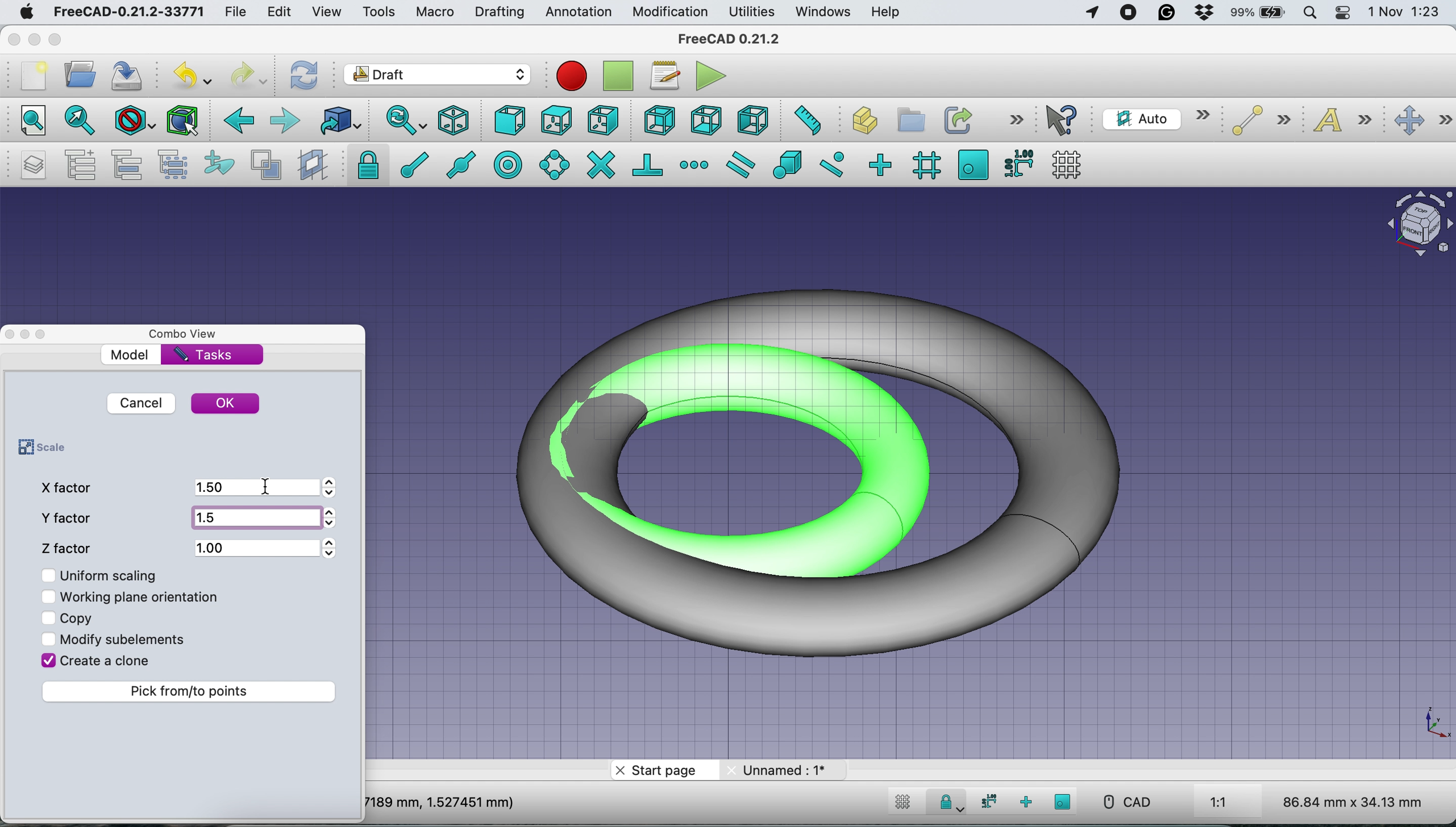 The width and height of the screenshot is (1456, 827). Describe the element at coordinates (1065, 120) in the screenshot. I see `what's this` at that location.